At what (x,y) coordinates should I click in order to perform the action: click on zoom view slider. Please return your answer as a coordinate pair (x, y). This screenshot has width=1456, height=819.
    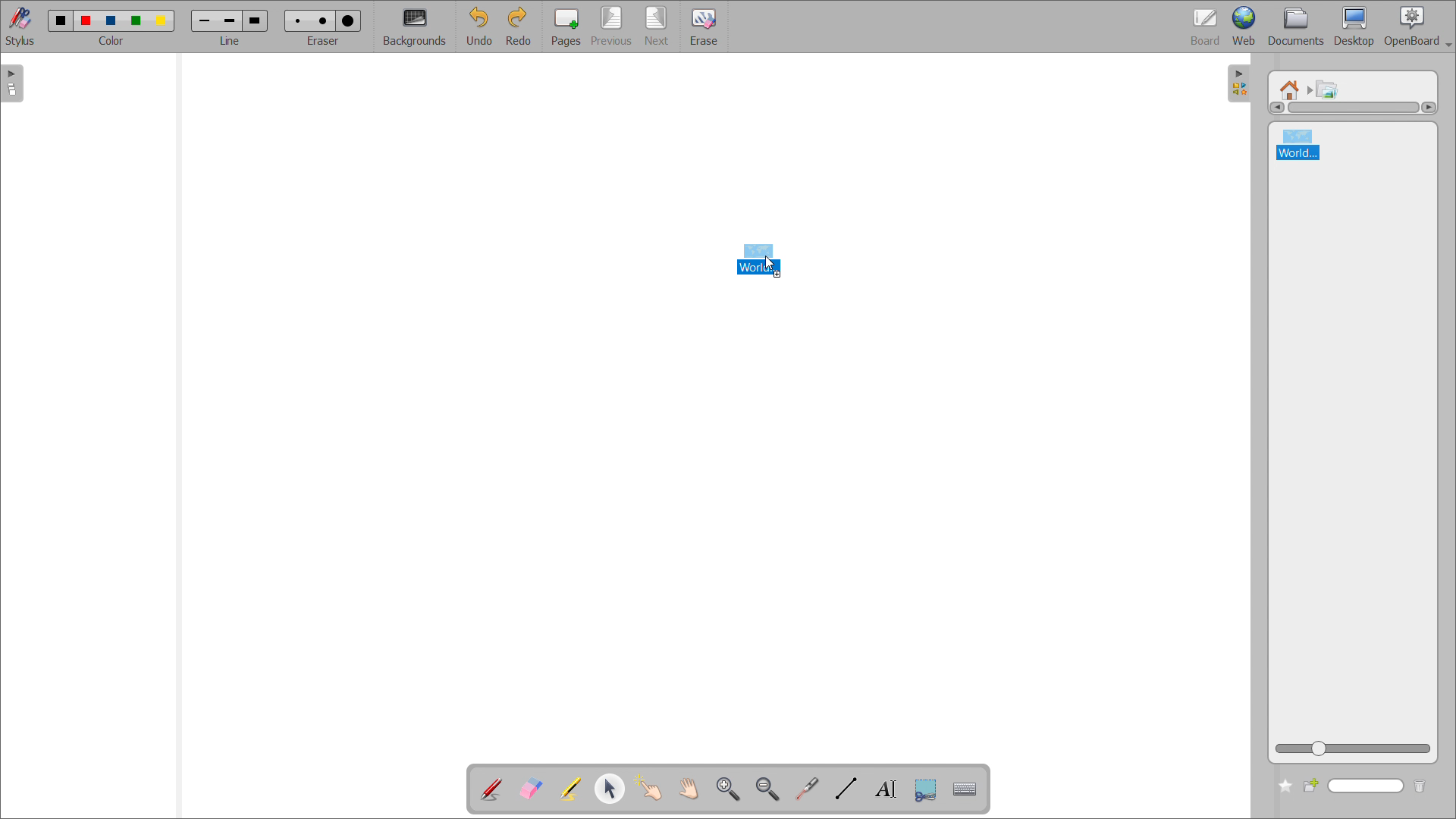
    Looking at the image, I should click on (1354, 748).